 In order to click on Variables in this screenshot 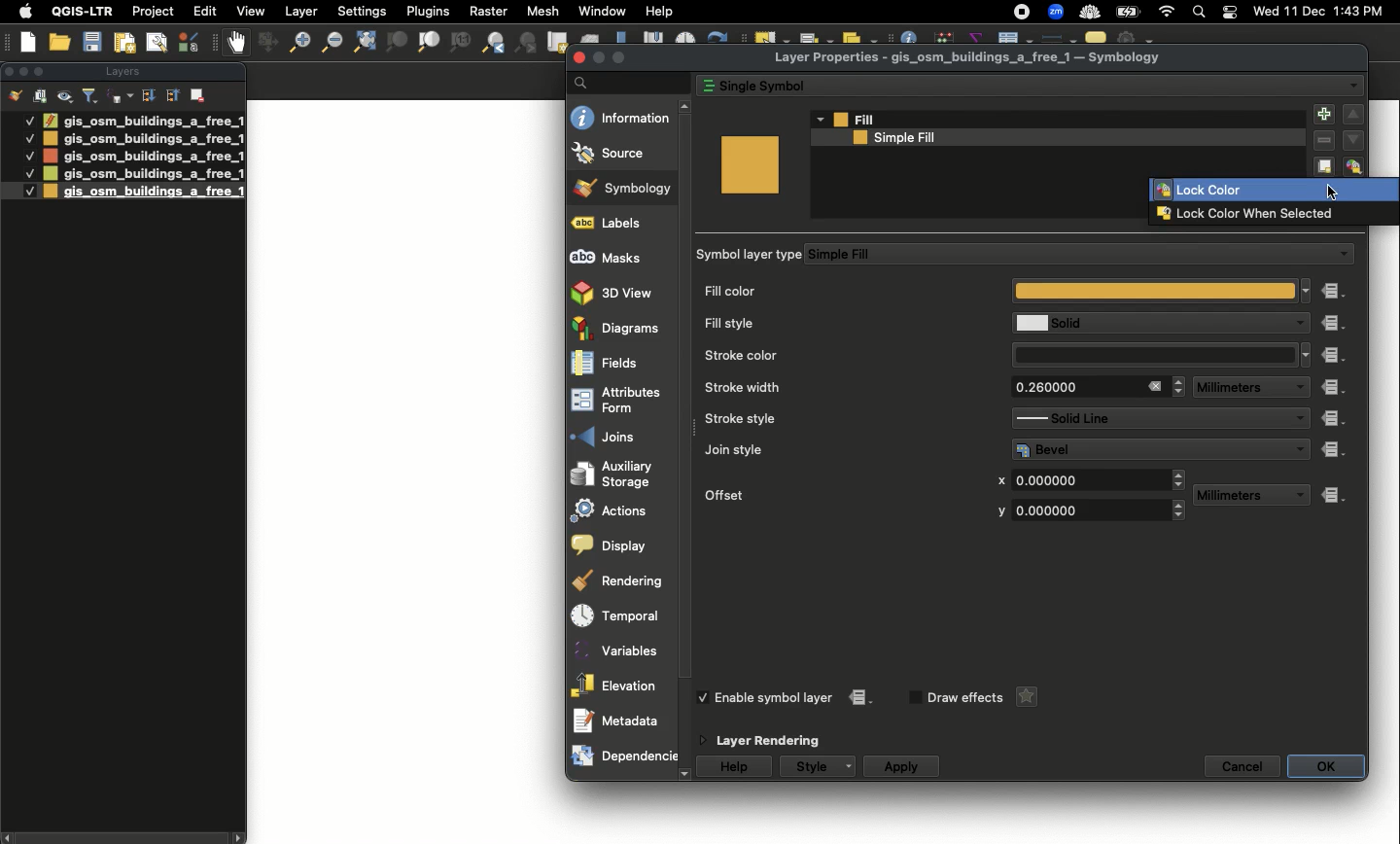, I will do `click(619, 651)`.